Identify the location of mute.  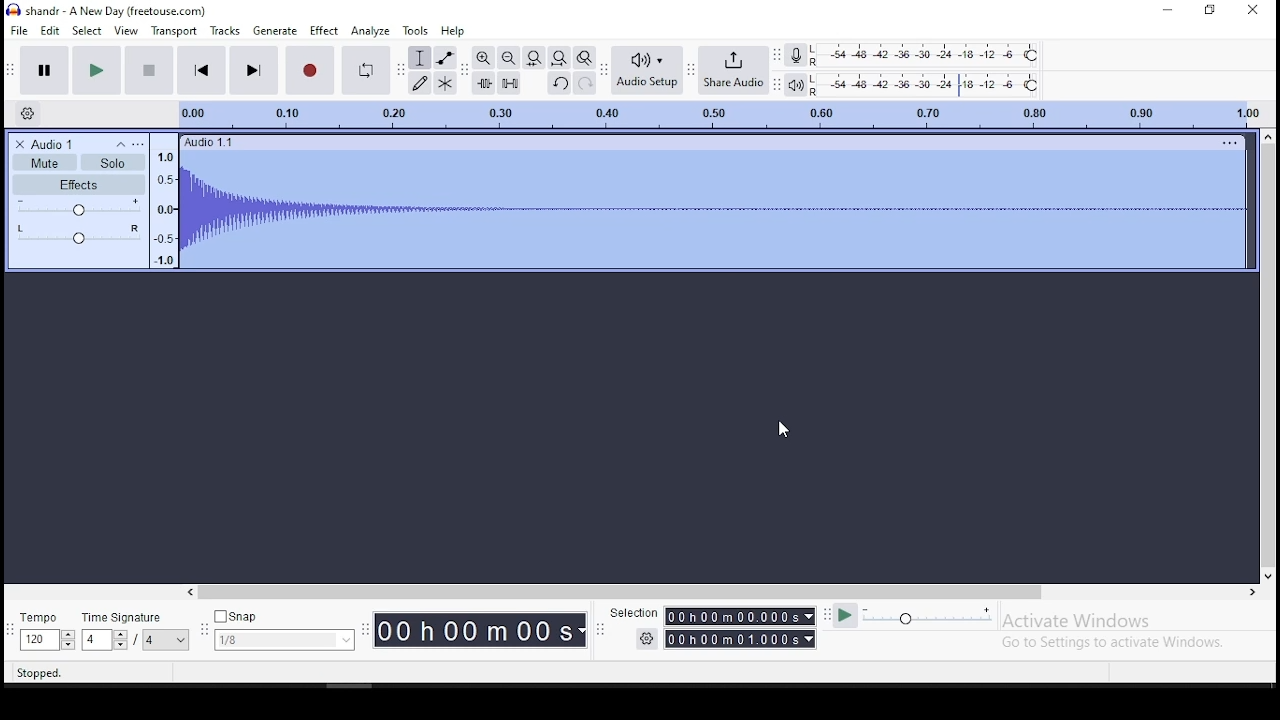
(44, 164).